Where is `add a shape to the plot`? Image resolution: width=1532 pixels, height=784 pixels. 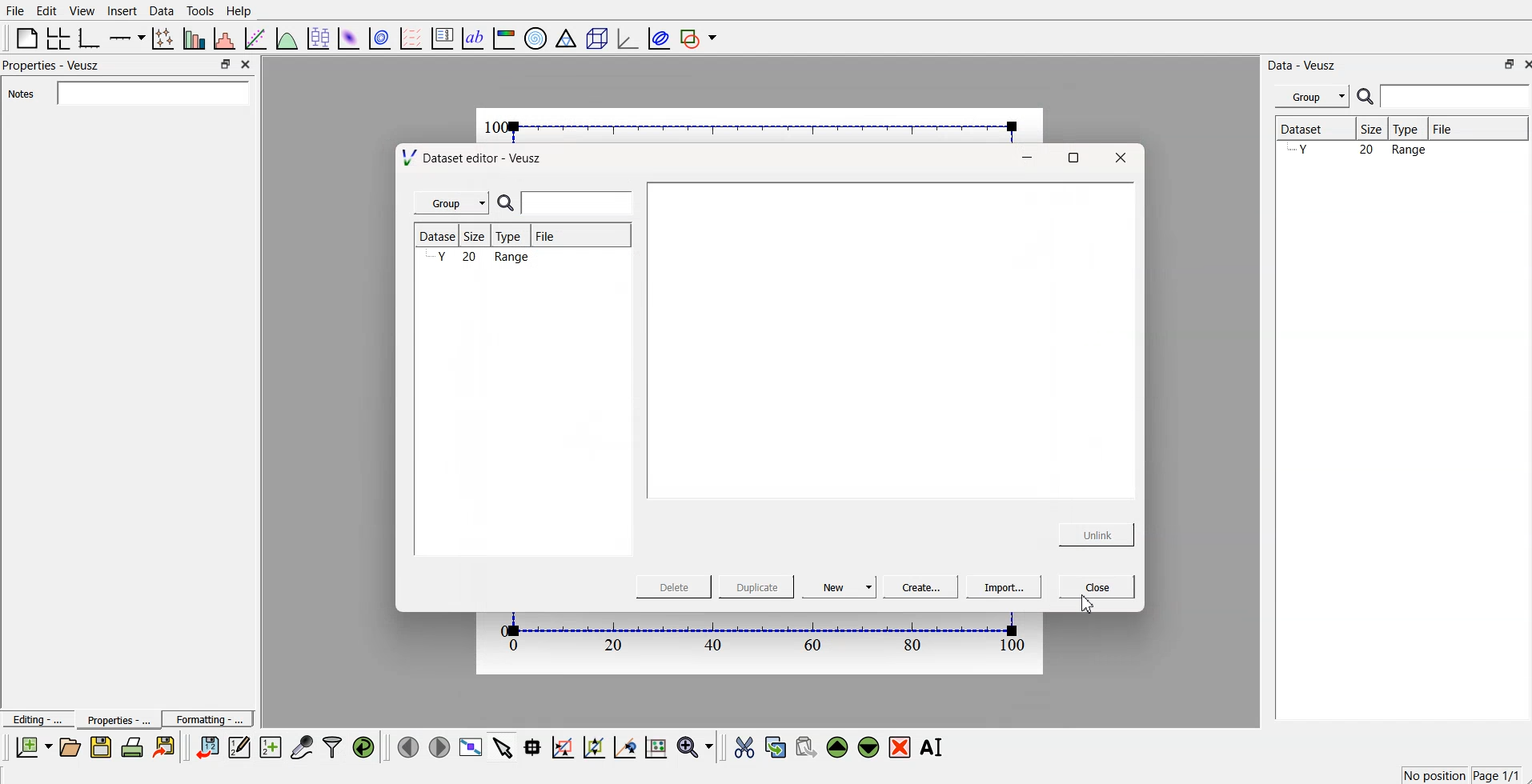
add a shape to the plot is located at coordinates (700, 38).